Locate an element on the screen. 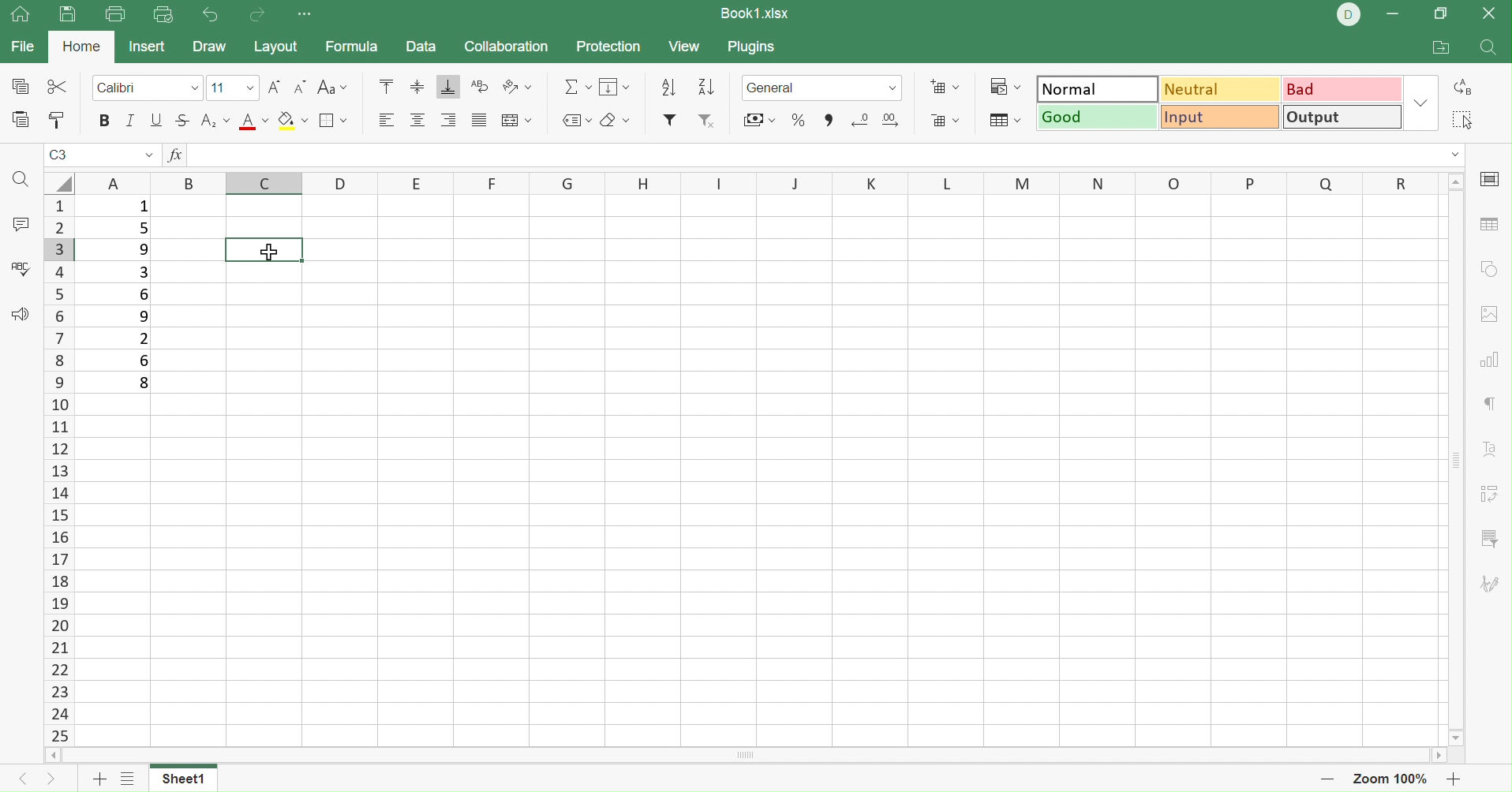  Input is located at coordinates (1219, 117).